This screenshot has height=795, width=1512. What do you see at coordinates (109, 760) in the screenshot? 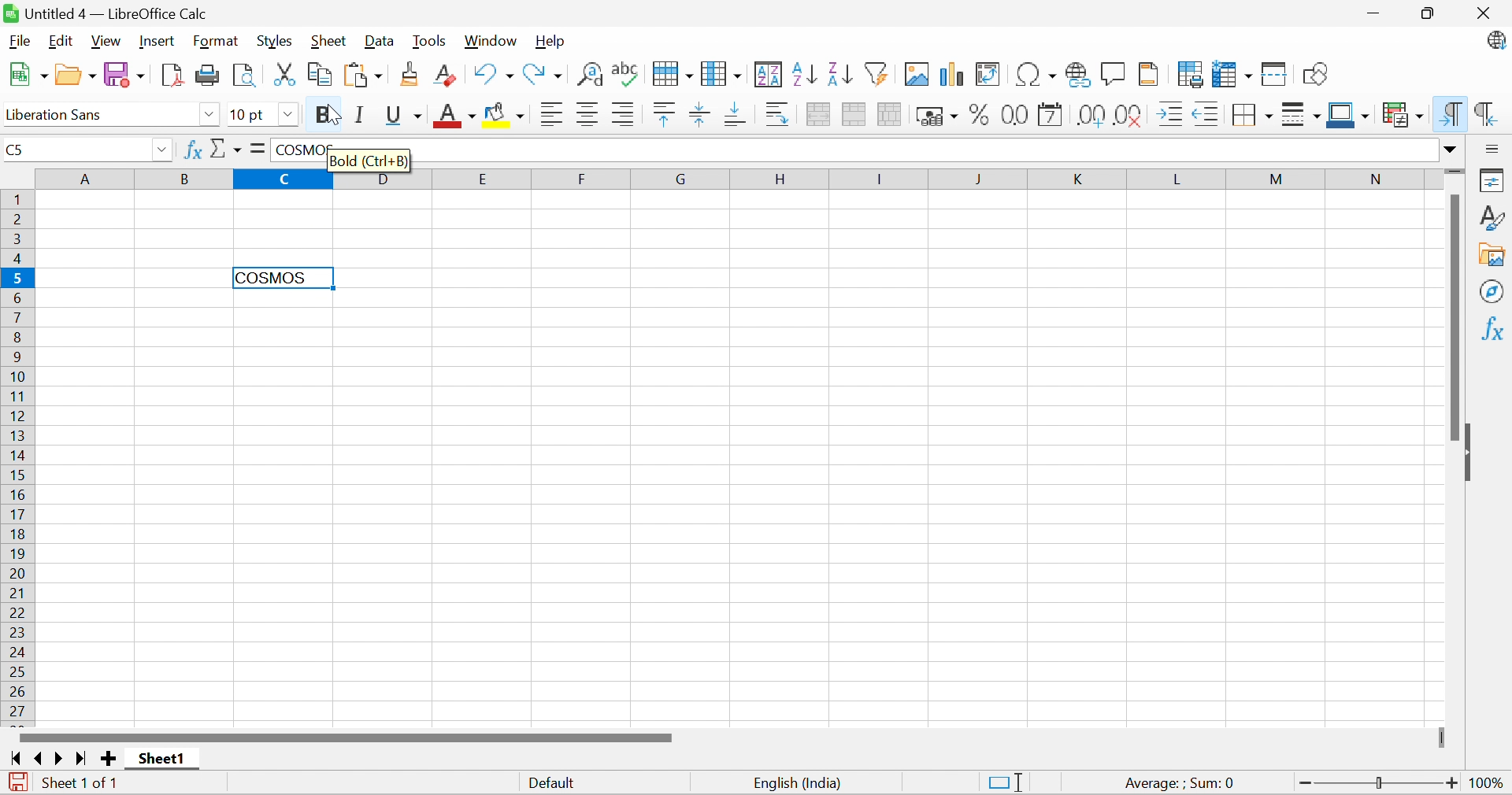
I see `Add New Sheet` at bounding box center [109, 760].